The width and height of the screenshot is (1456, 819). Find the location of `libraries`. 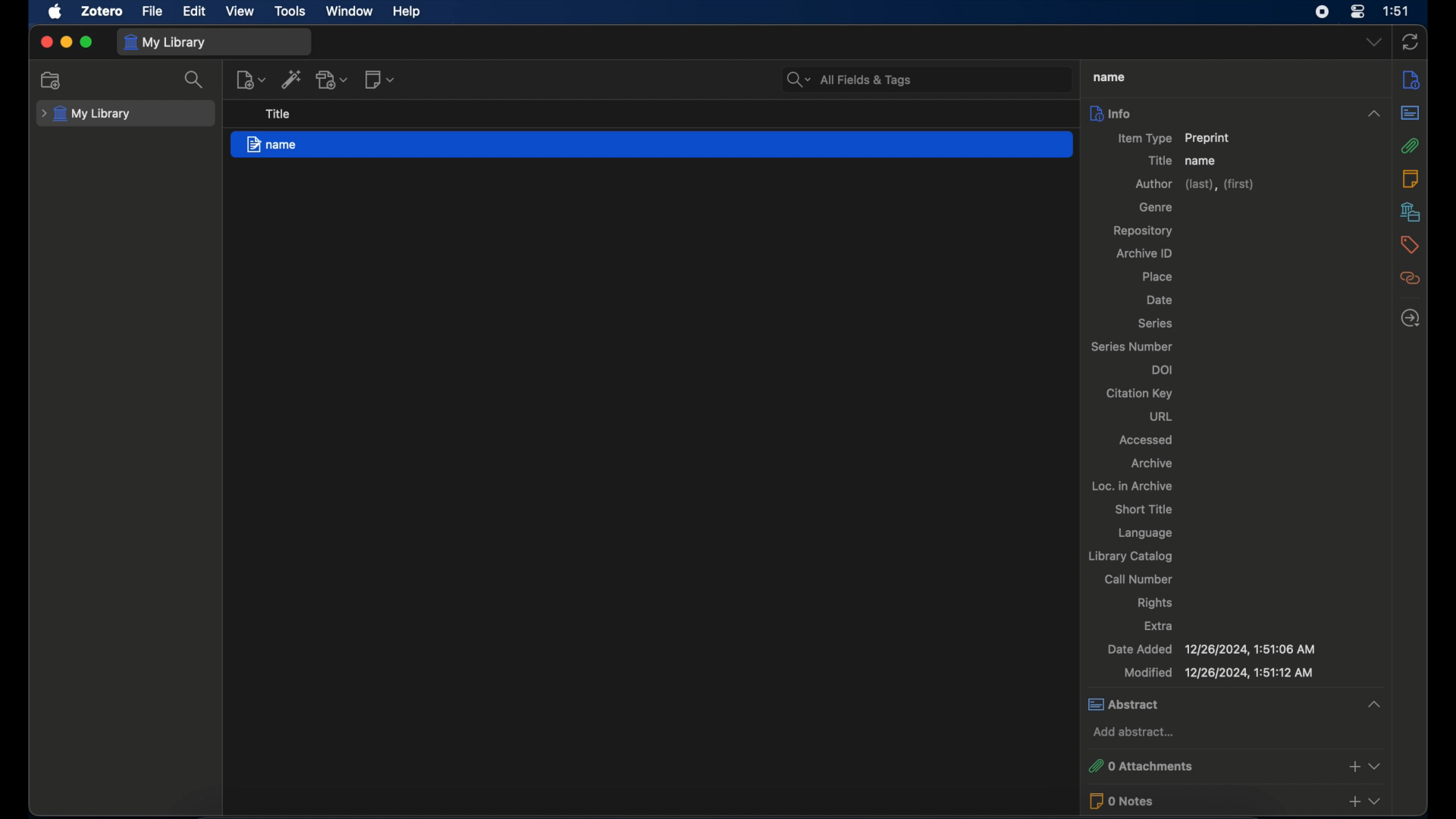

libraries is located at coordinates (1410, 212).